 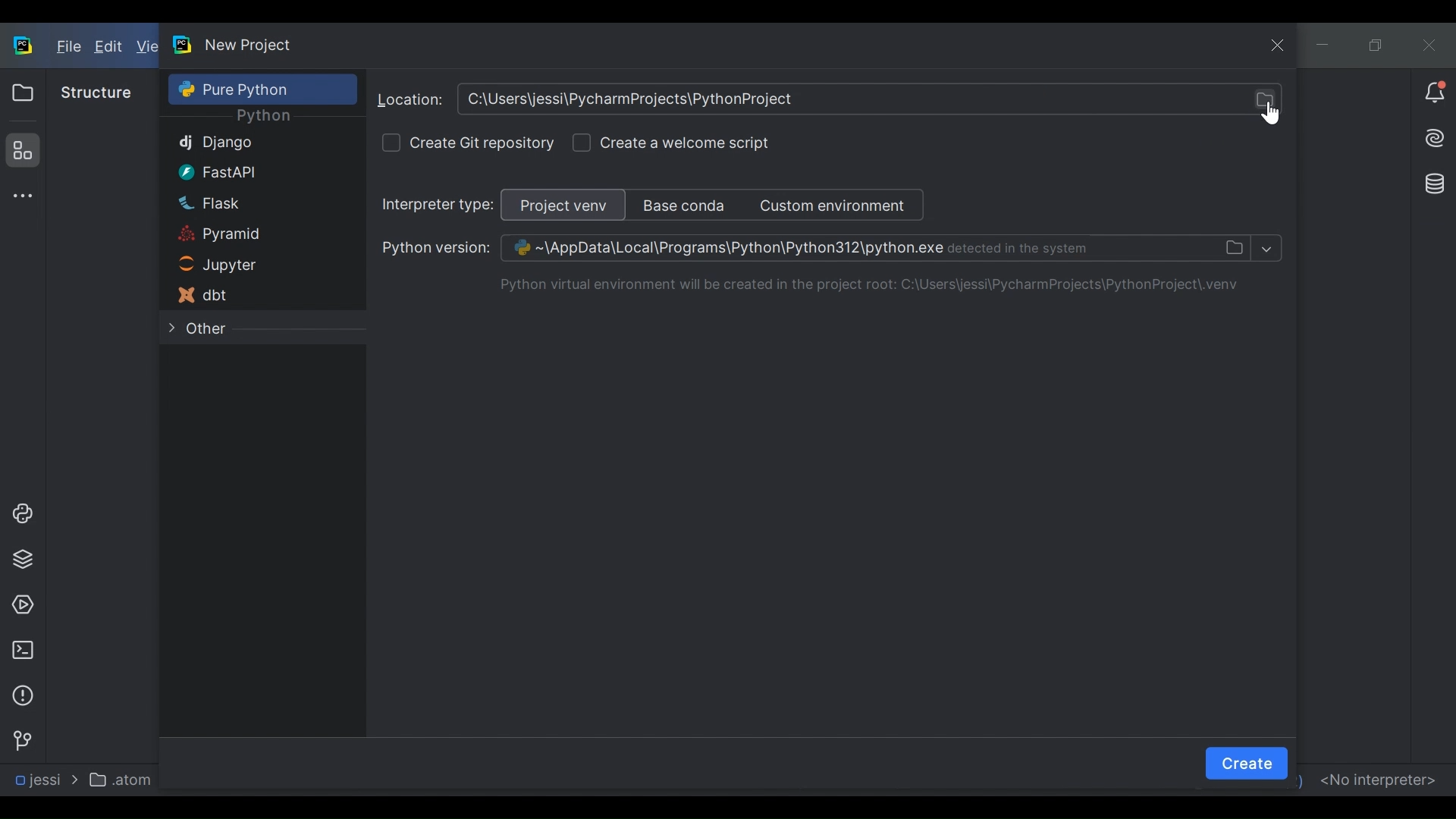 I want to click on More tool window, so click(x=20, y=196).